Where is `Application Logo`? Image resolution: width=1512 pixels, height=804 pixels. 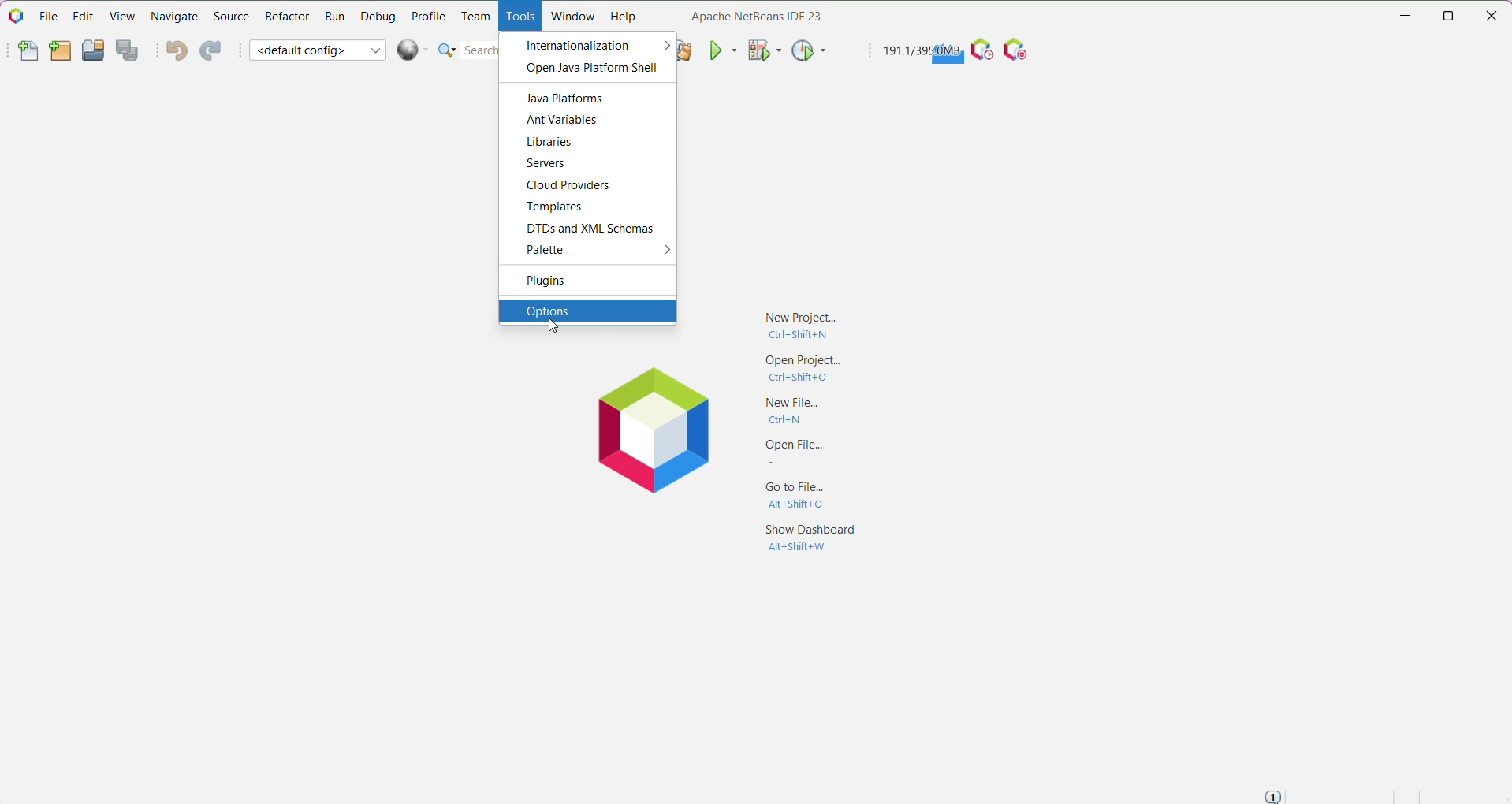 Application Logo is located at coordinates (14, 17).